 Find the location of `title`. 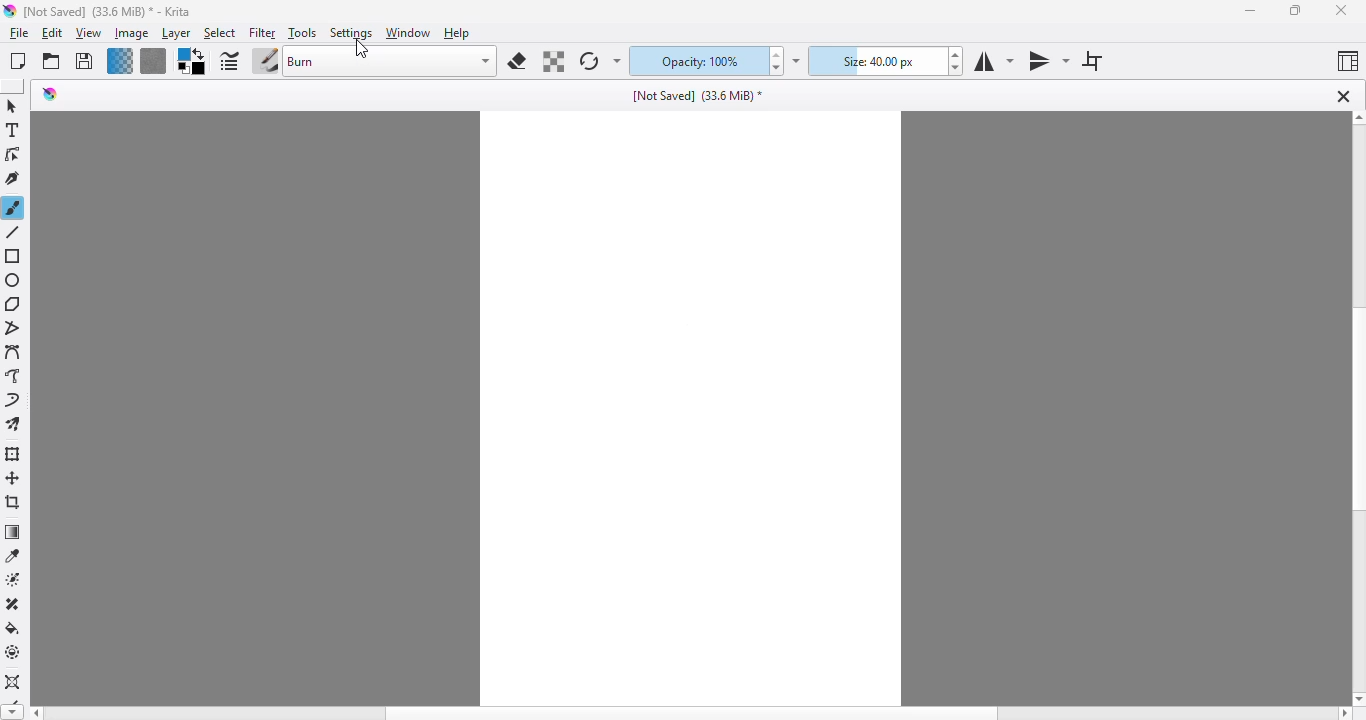

title is located at coordinates (697, 96).